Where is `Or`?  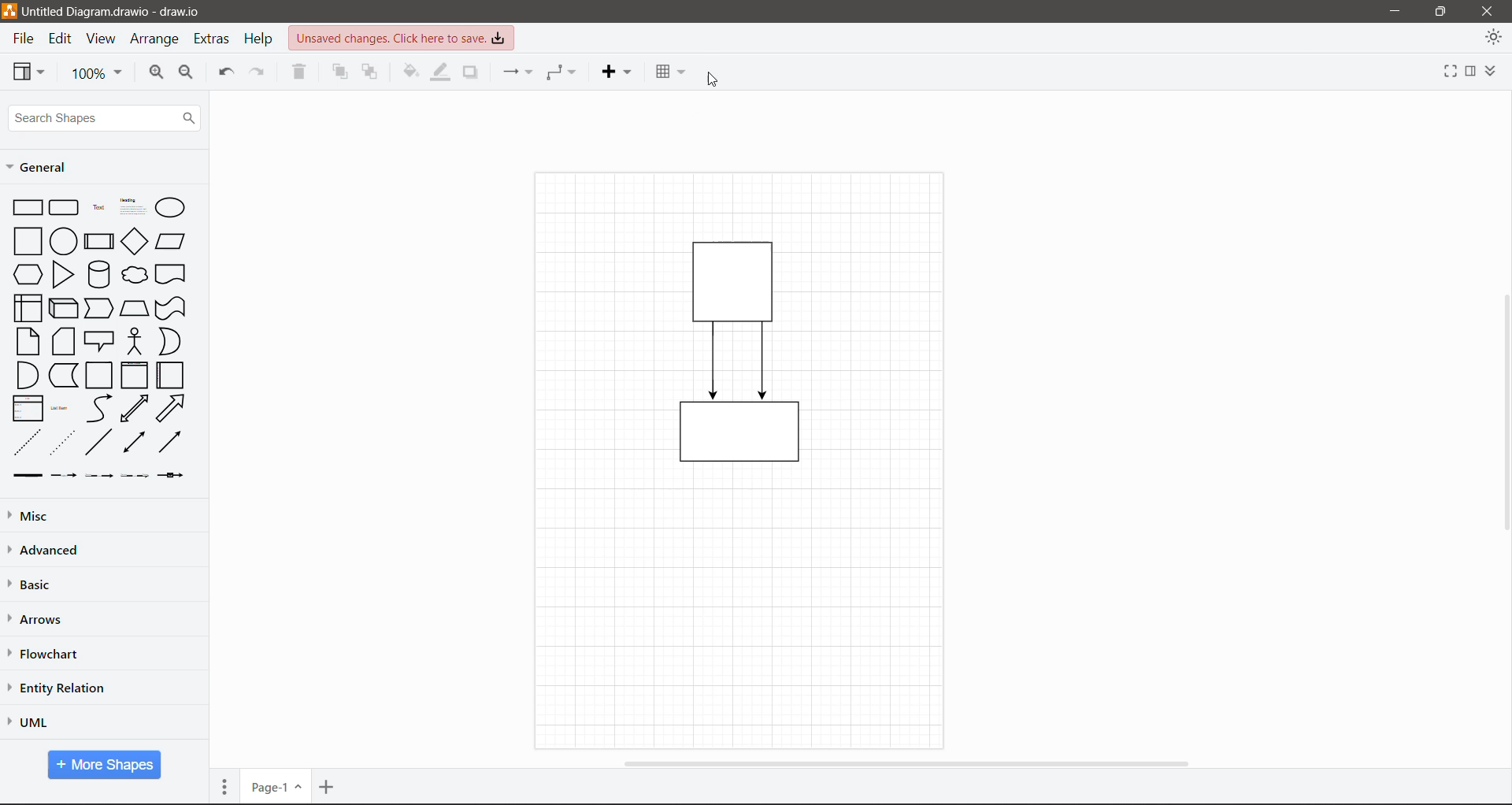
Or is located at coordinates (169, 341).